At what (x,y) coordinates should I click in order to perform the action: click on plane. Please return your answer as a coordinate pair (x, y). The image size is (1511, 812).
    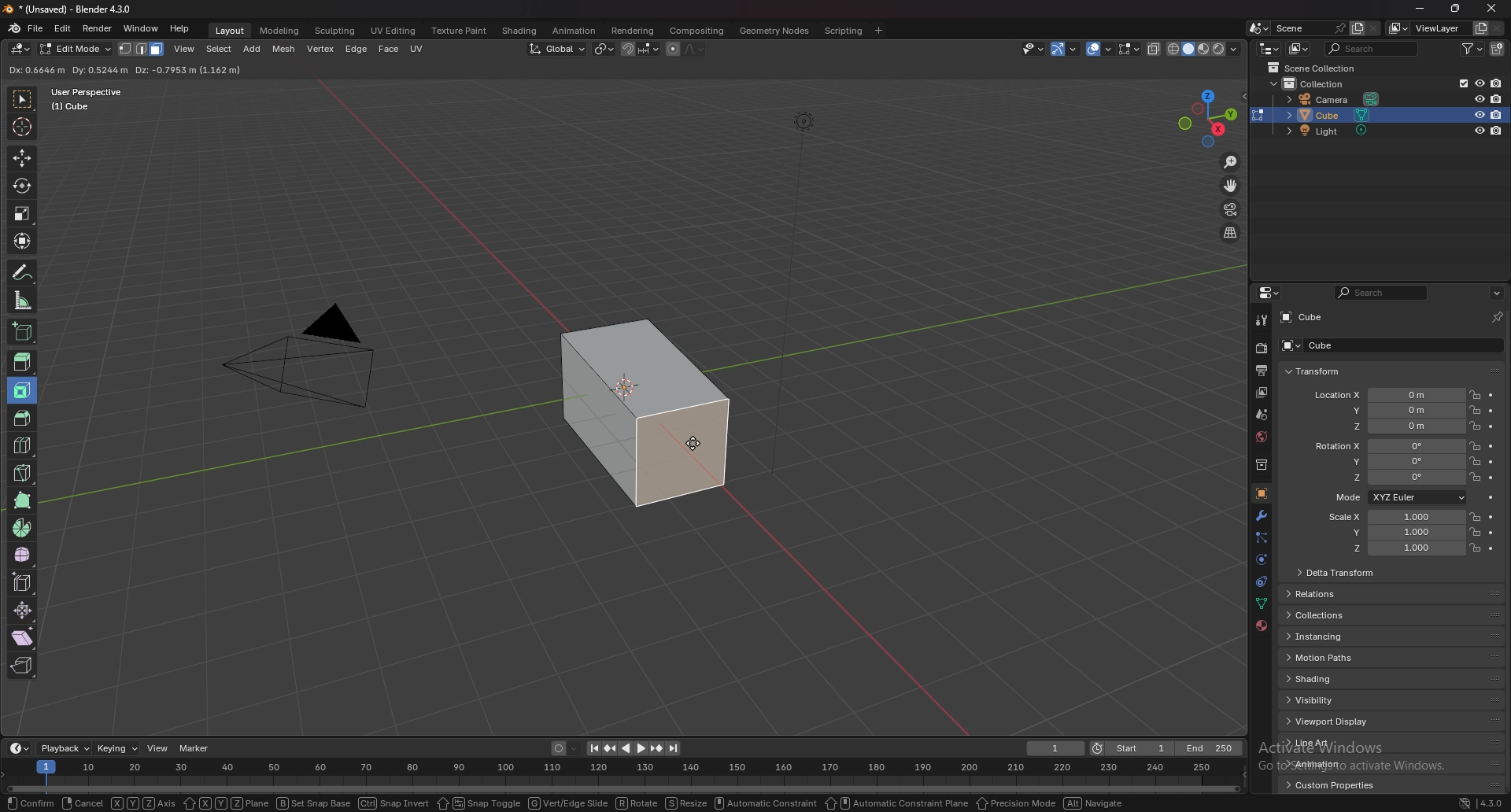
    Looking at the image, I should click on (225, 803).